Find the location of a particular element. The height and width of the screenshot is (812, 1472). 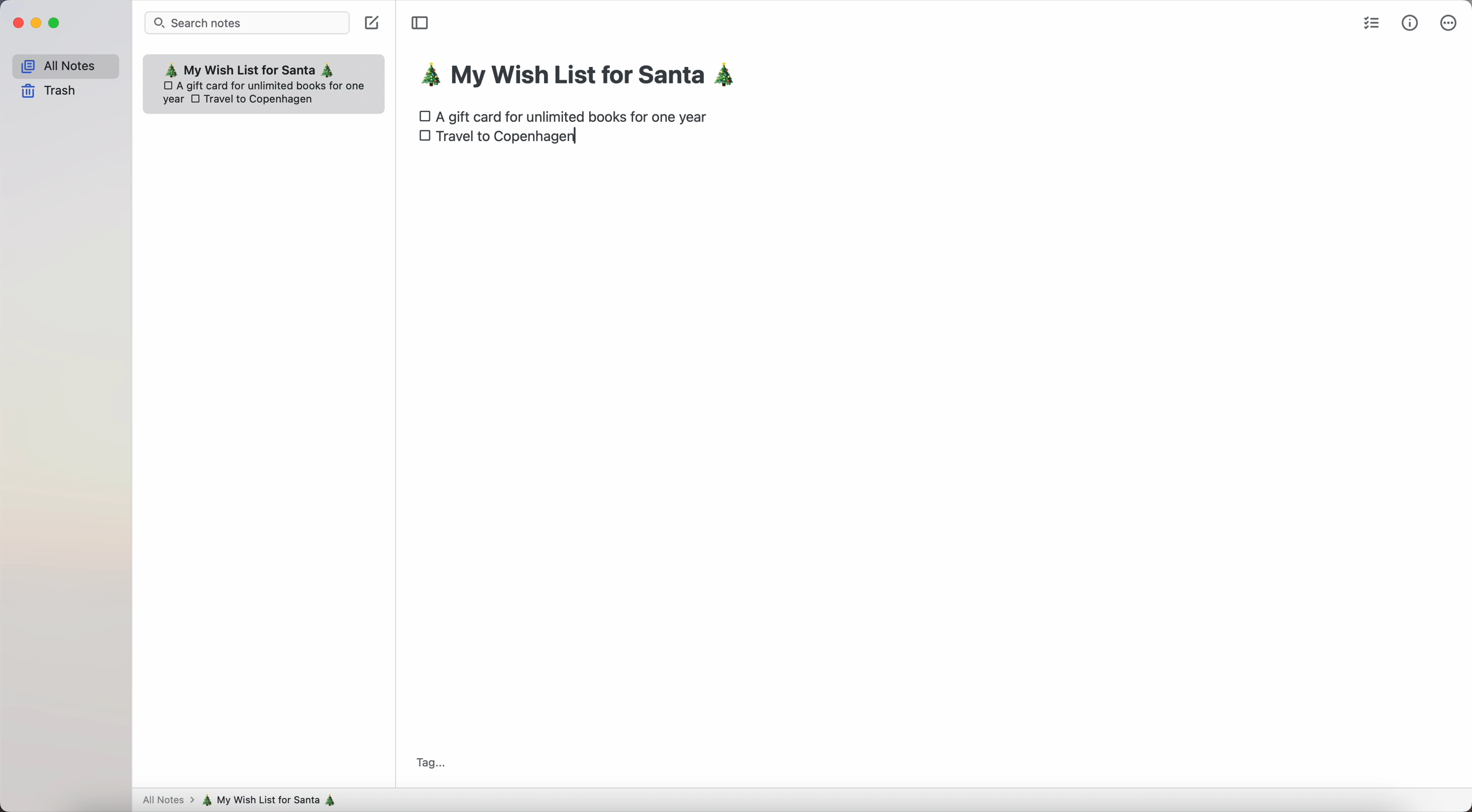

close Simplenote is located at coordinates (16, 23).